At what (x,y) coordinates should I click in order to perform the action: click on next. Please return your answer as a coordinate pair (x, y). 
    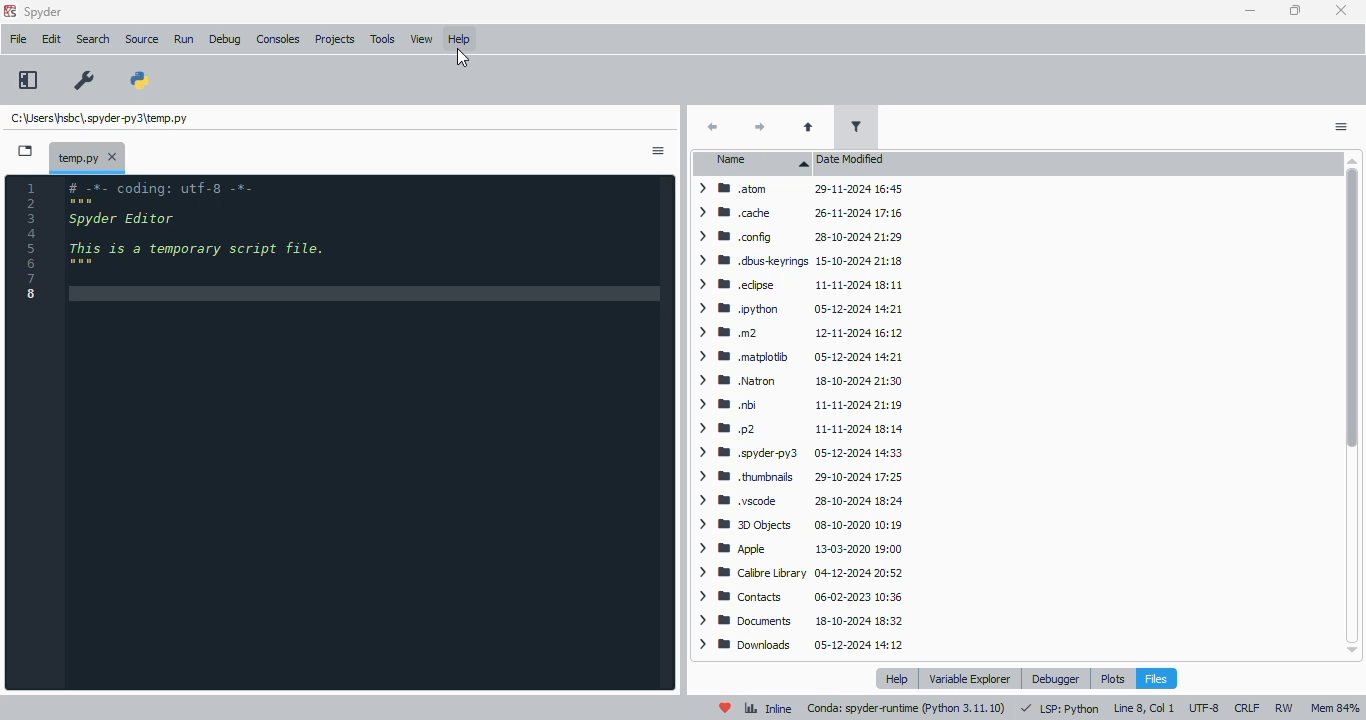
    Looking at the image, I should click on (762, 128).